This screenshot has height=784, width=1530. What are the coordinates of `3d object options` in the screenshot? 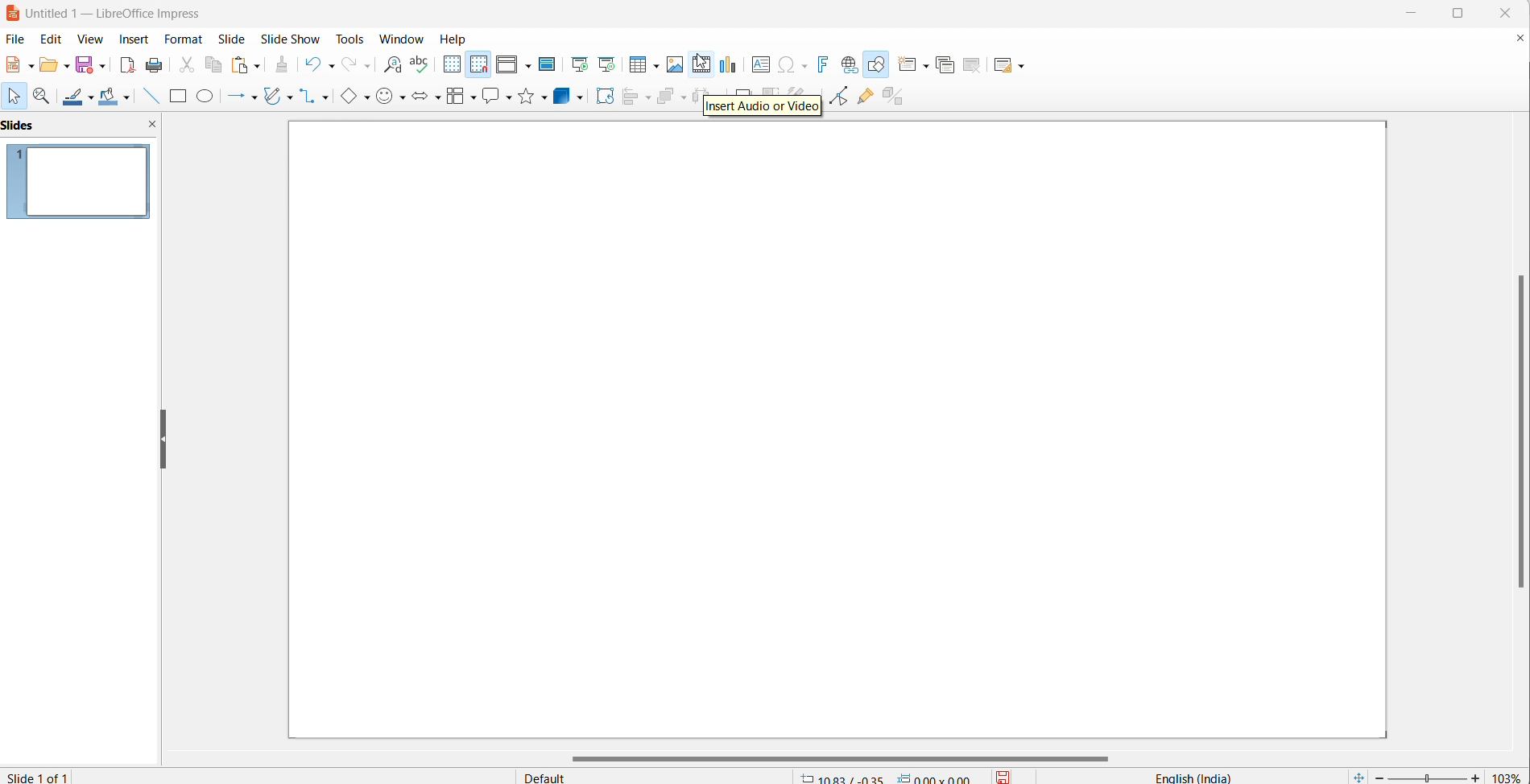 It's located at (582, 97).